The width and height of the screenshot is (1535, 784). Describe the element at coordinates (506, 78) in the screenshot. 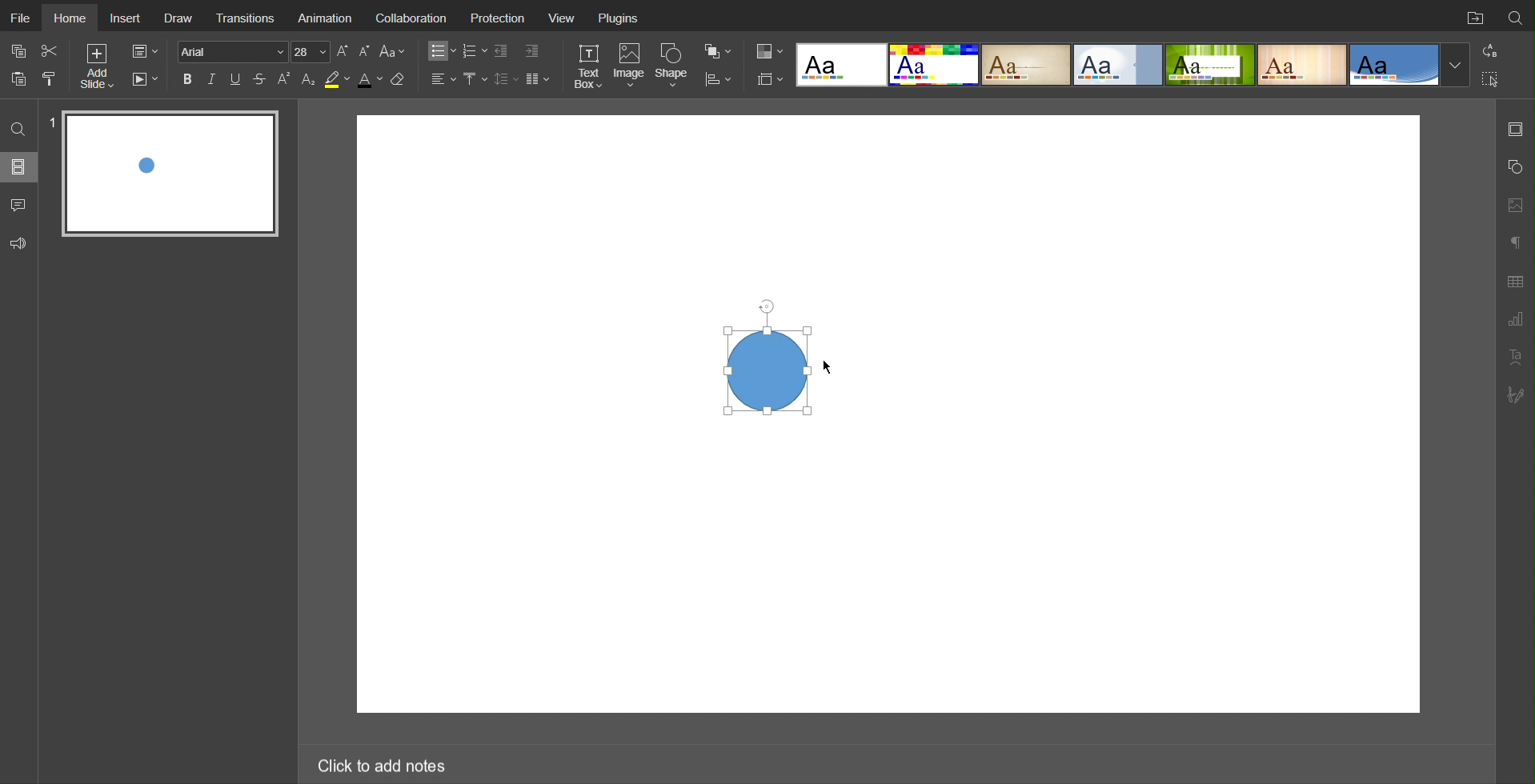

I see `Line Spacing` at that location.